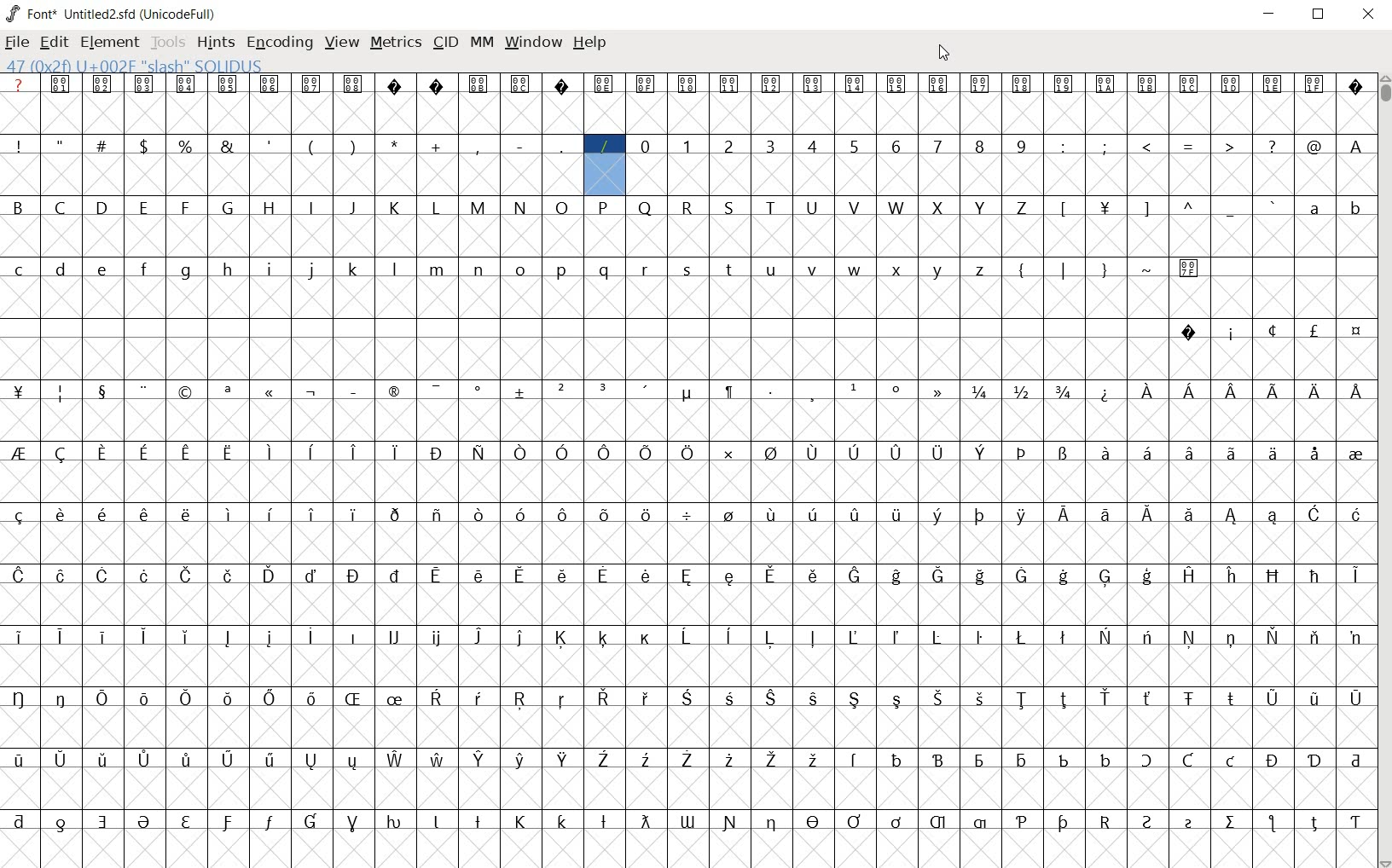 The height and width of the screenshot is (868, 1392). What do you see at coordinates (227, 146) in the screenshot?
I see `glyph` at bounding box center [227, 146].